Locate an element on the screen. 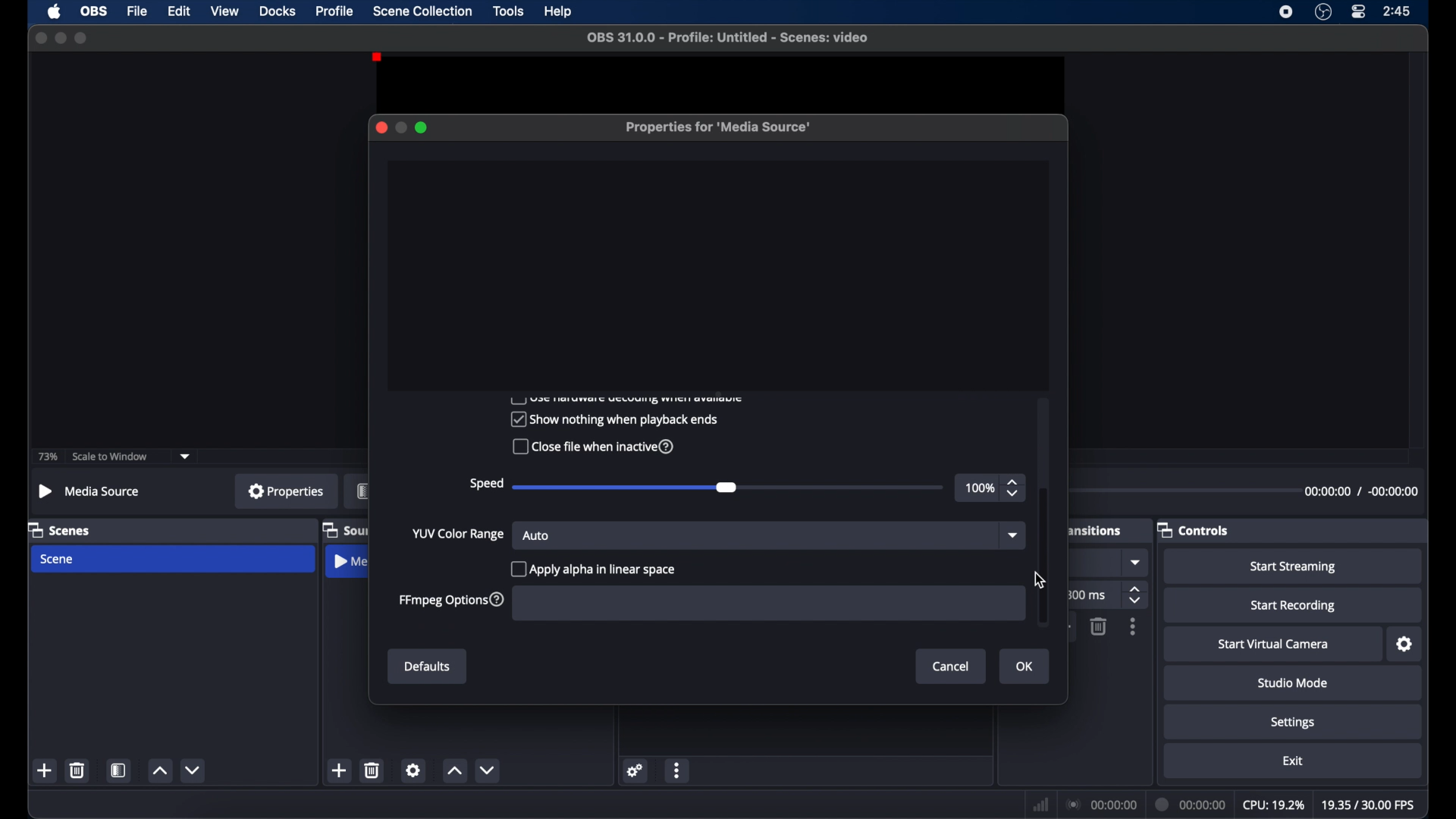  speed is located at coordinates (485, 484).